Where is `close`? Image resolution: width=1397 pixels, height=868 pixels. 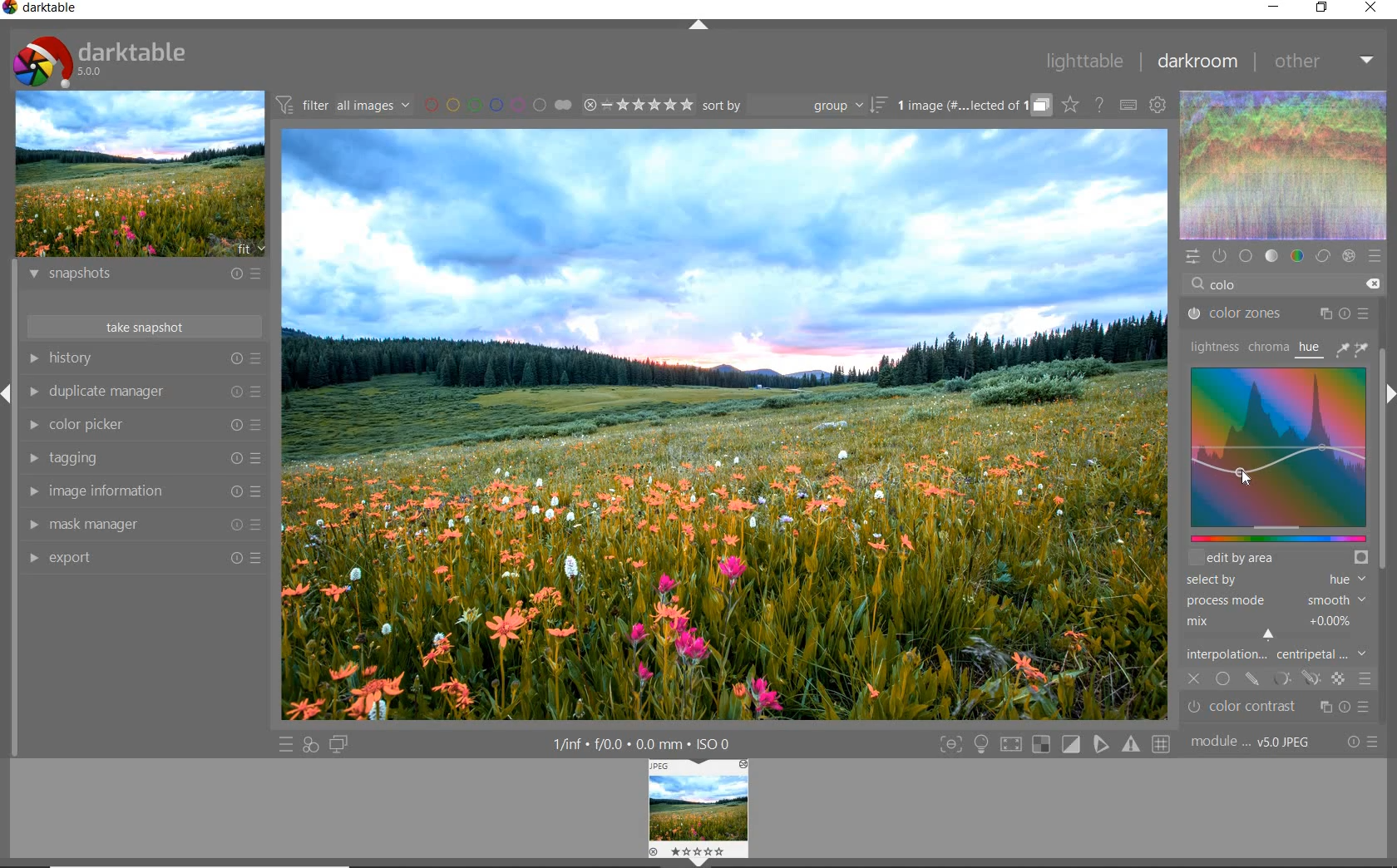 close is located at coordinates (1372, 7).